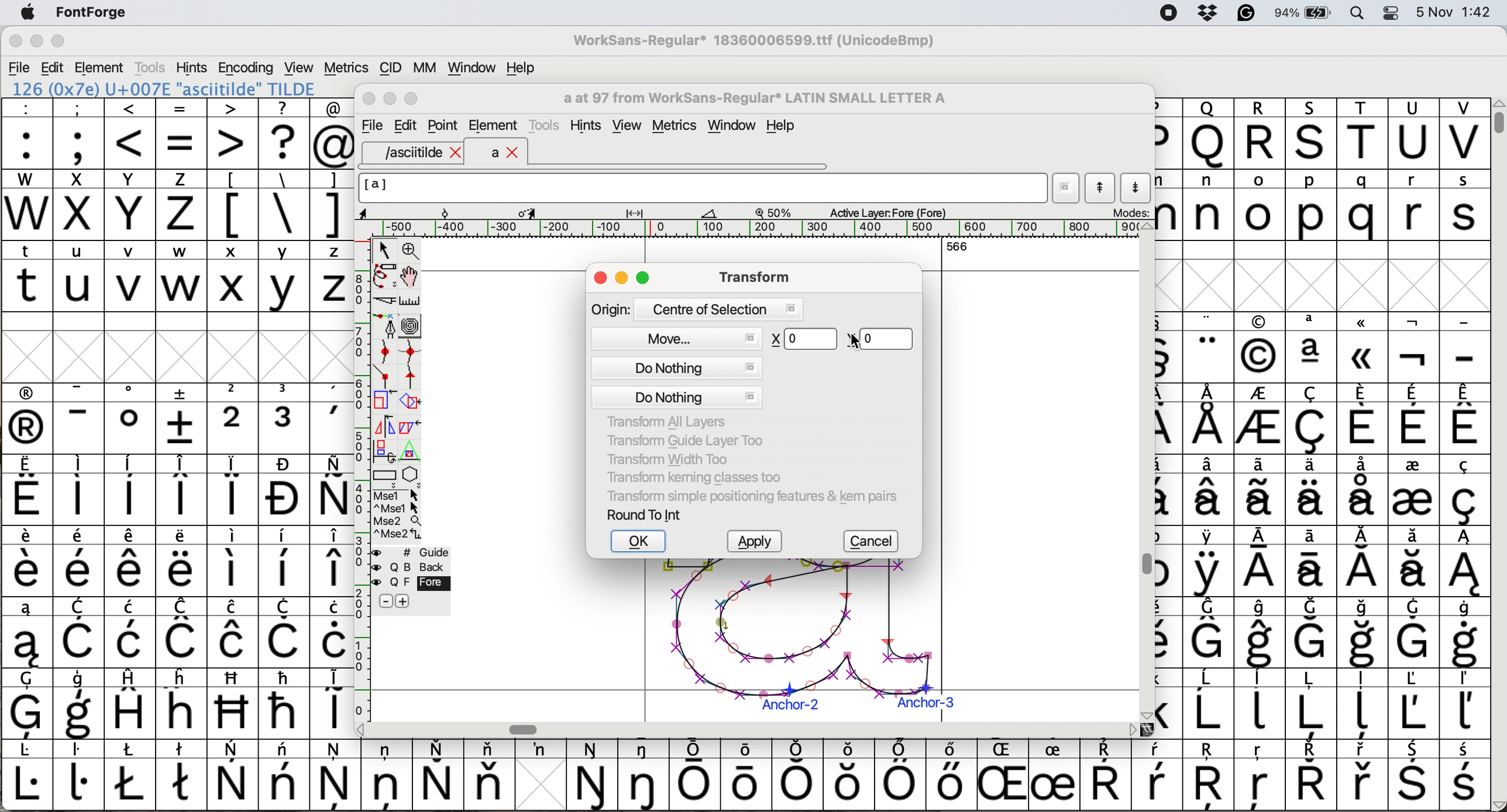 This screenshot has width=1507, height=812. What do you see at coordinates (1363, 418) in the screenshot?
I see `symbol` at bounding box center [1363, 418].